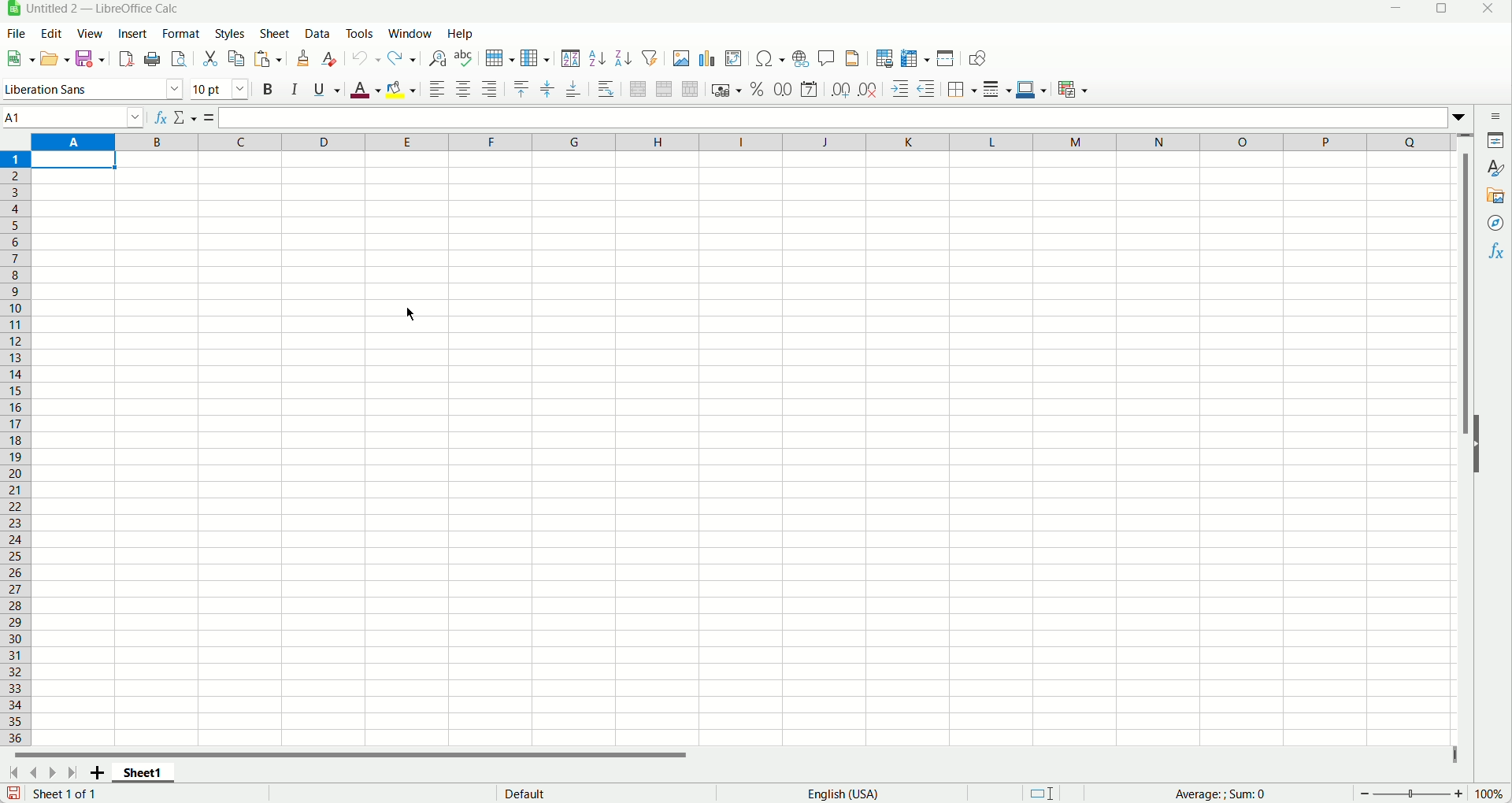  What do you see at coordinates (372, 757) in the screenshot?
I see `Horizontal scroll bar` at bounding box center [372, 757].